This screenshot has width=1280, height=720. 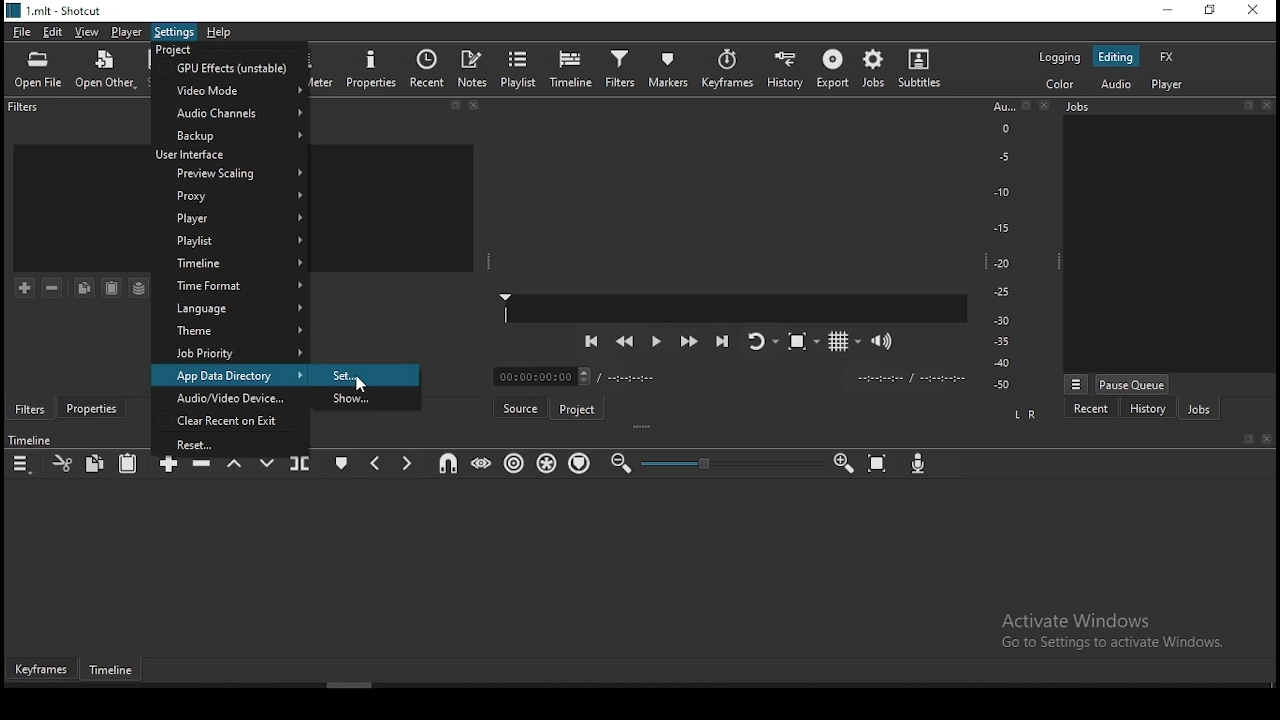 I want to click on notes, so click(x=474, y=68).